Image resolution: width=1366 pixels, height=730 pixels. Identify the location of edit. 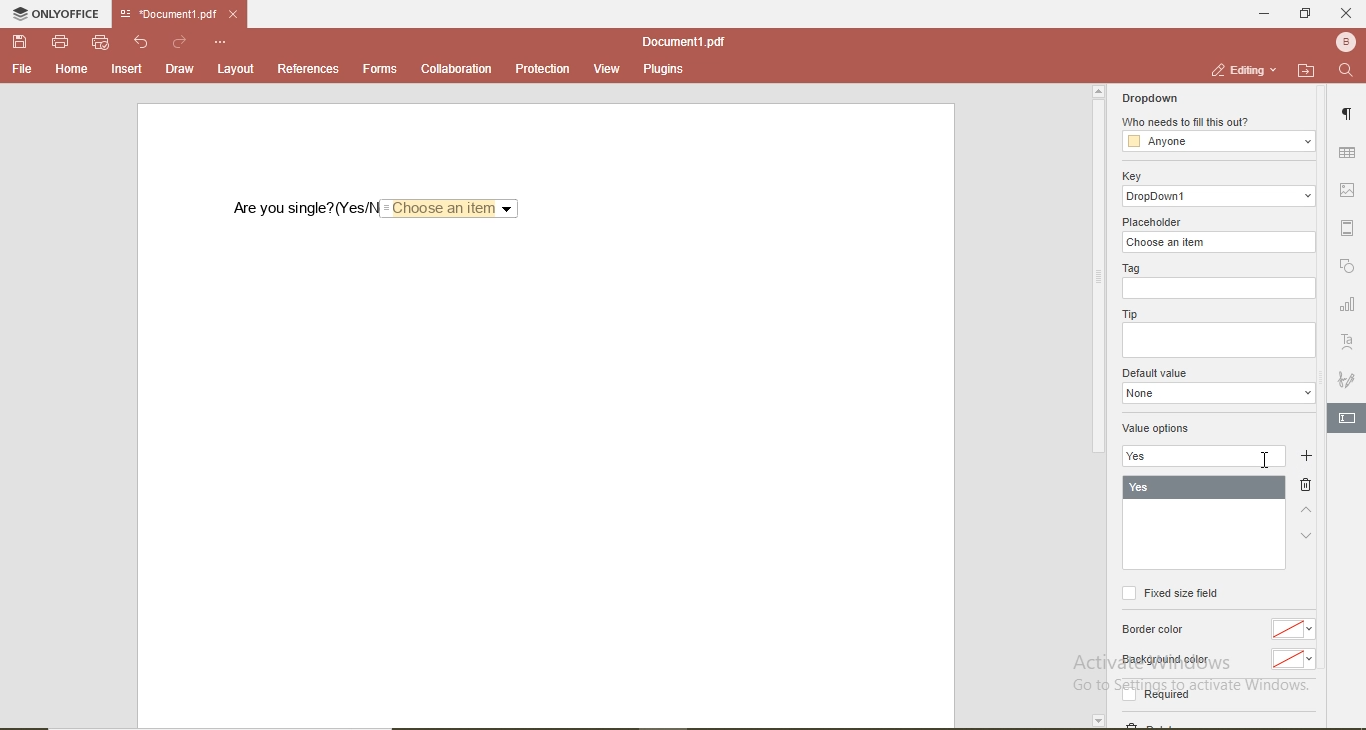
(1346, 417).